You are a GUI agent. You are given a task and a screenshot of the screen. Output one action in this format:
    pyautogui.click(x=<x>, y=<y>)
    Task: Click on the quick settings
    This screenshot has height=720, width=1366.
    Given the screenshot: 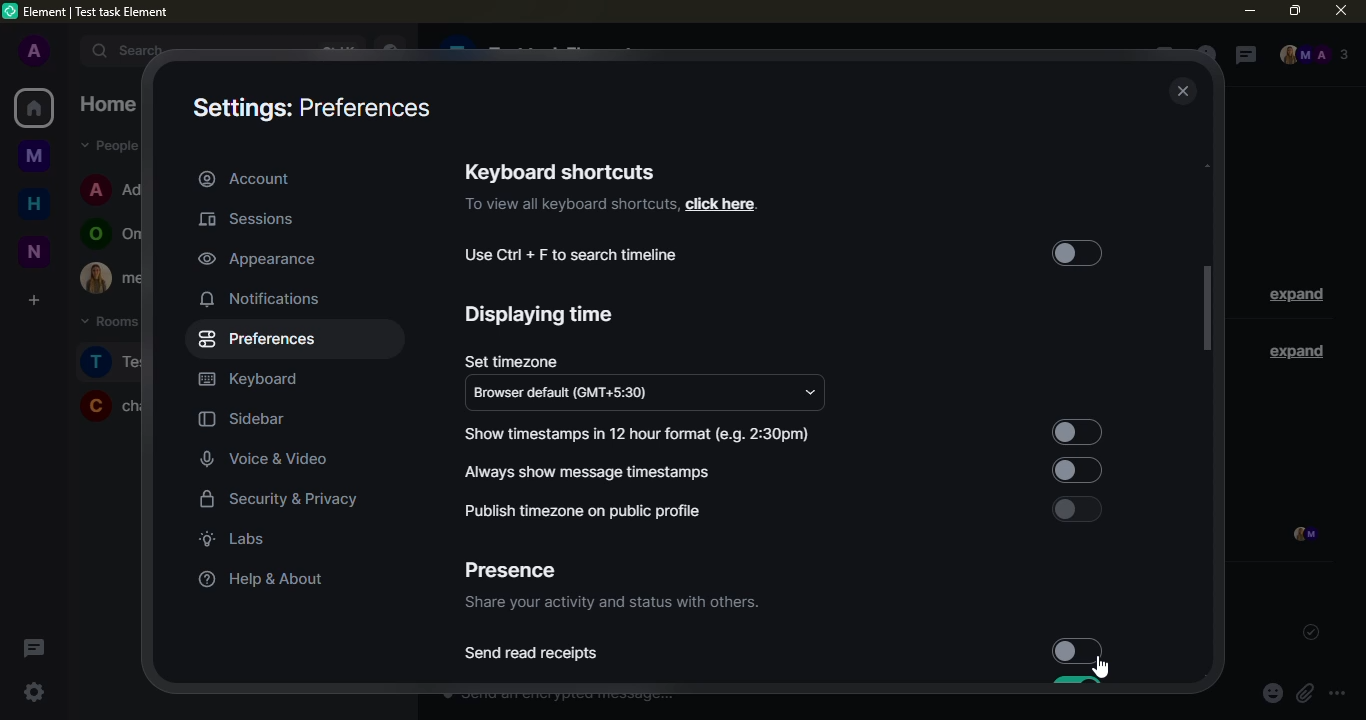 What is the action you would take?
    pyautogui.click(x=34, y=692)
    